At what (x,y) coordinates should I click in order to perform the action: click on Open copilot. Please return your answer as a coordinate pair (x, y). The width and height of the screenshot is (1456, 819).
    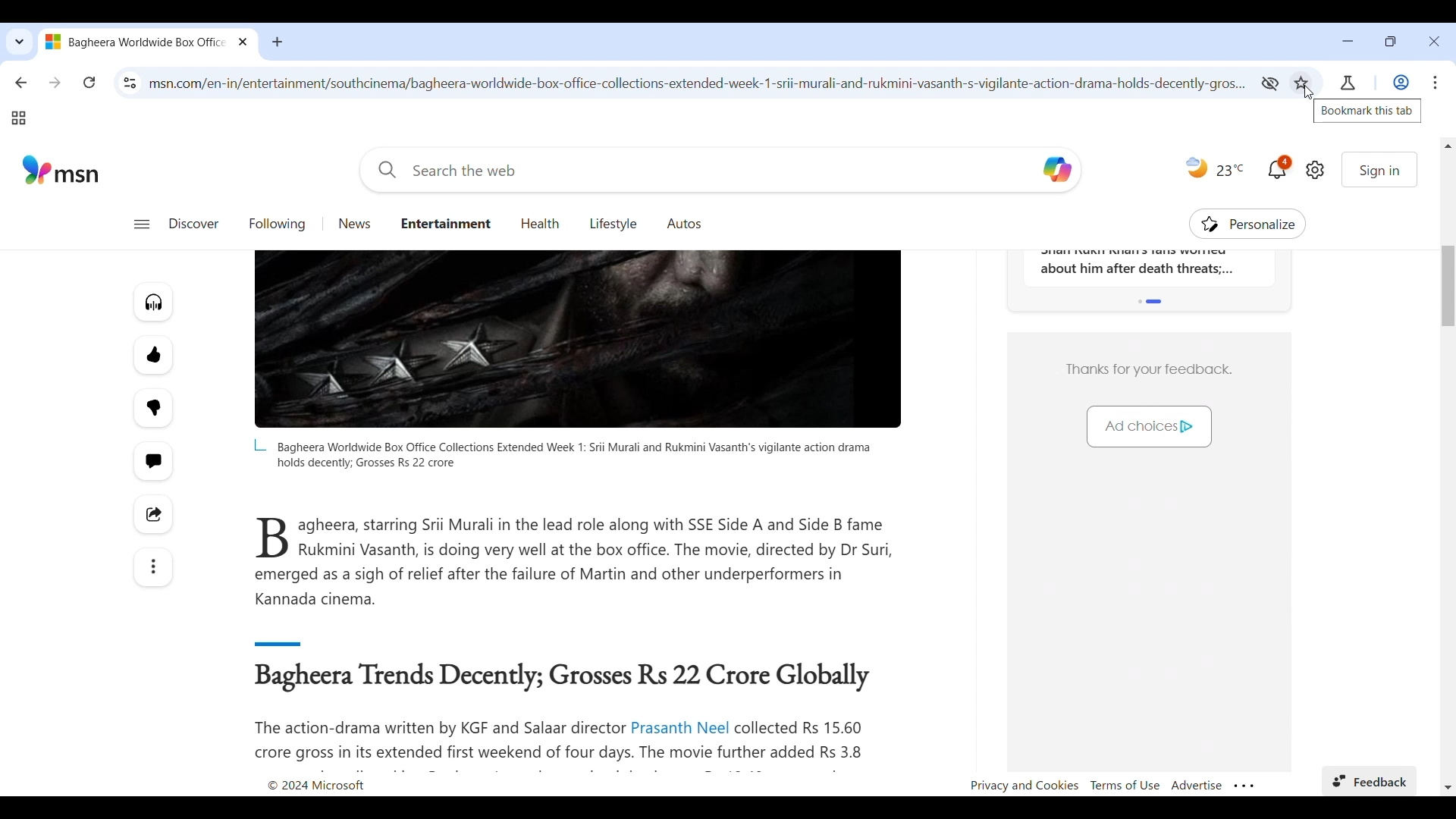
    Looking at the image, I should click on (1059, 169).